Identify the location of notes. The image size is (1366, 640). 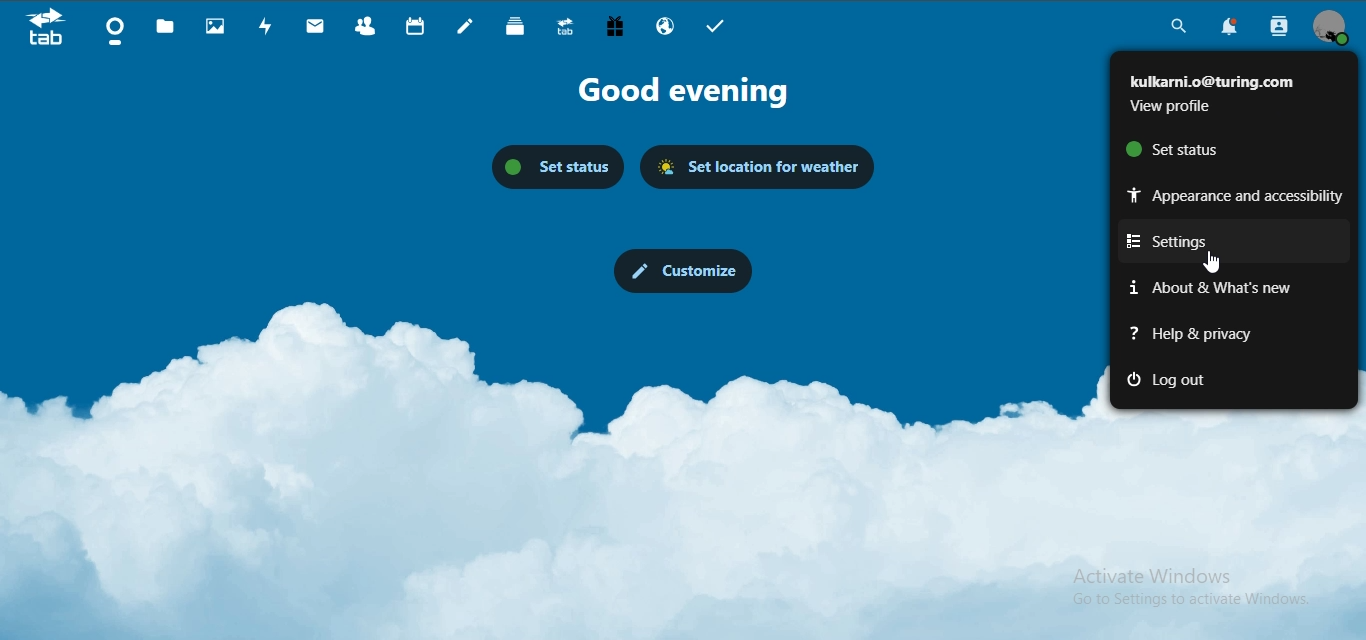
(468, 28).